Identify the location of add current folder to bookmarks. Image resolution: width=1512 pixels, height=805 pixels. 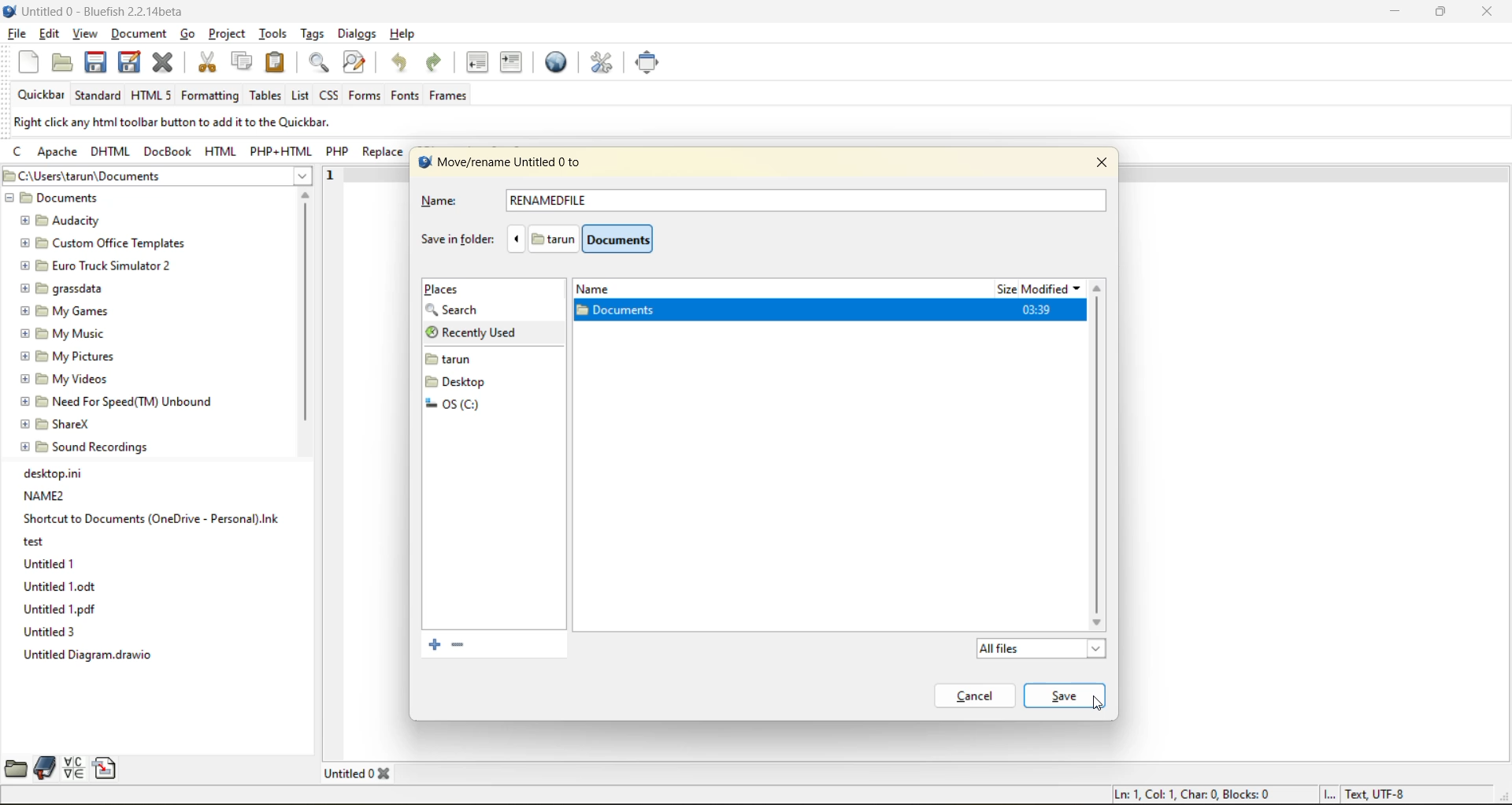
(435, 645).